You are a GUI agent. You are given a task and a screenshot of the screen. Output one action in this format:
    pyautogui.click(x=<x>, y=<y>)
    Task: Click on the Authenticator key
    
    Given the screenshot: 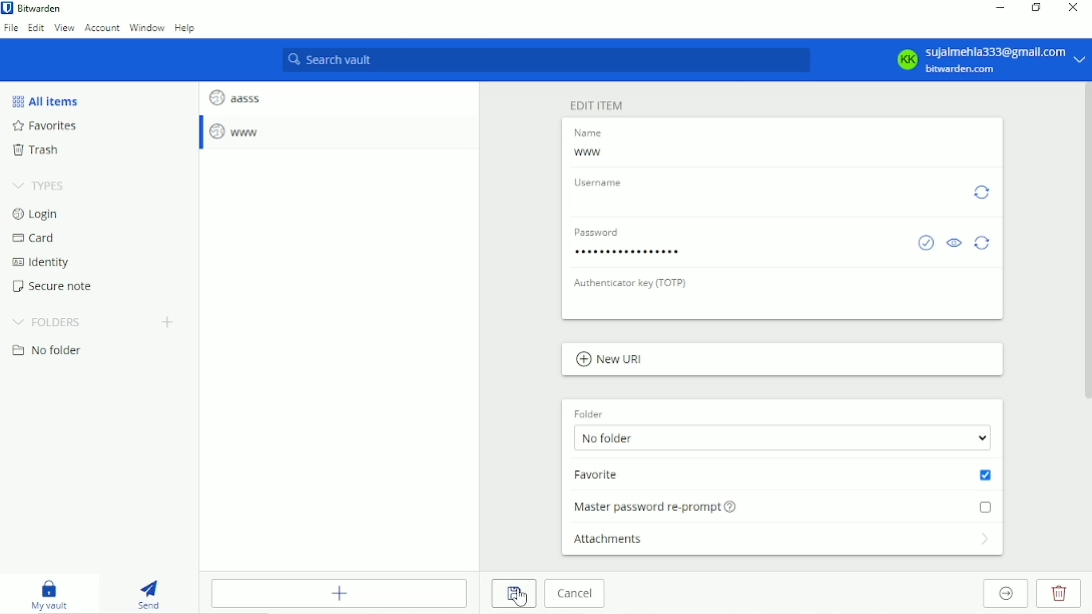 What is the action you would take?
    pyautogui.click(x=632, y=282)
    